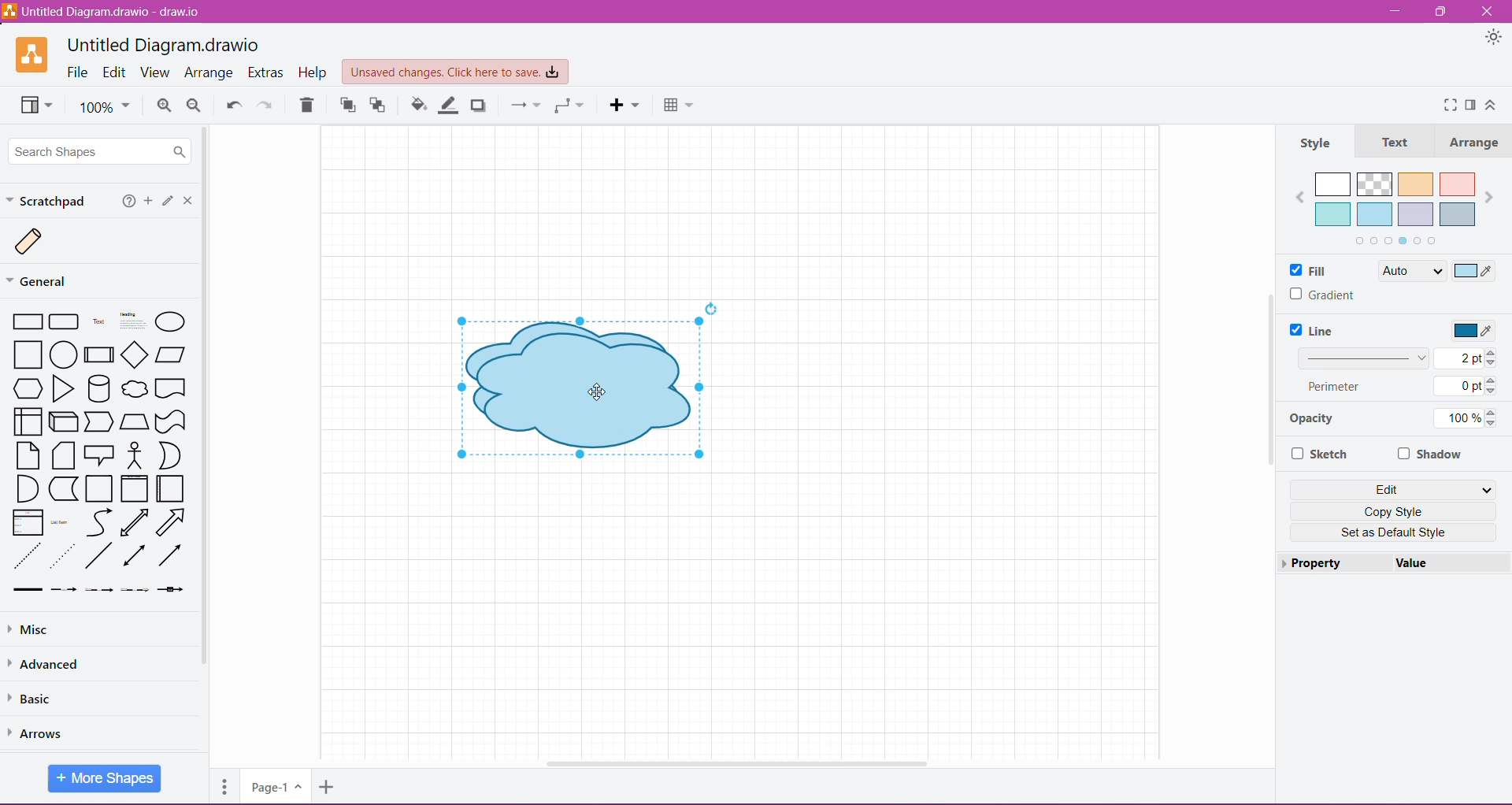 The height and width of the screenshot is (805, 1512). Describe the element at coordinates (1447, 106) in the screenshot. I see `Fullscreen` at that location.